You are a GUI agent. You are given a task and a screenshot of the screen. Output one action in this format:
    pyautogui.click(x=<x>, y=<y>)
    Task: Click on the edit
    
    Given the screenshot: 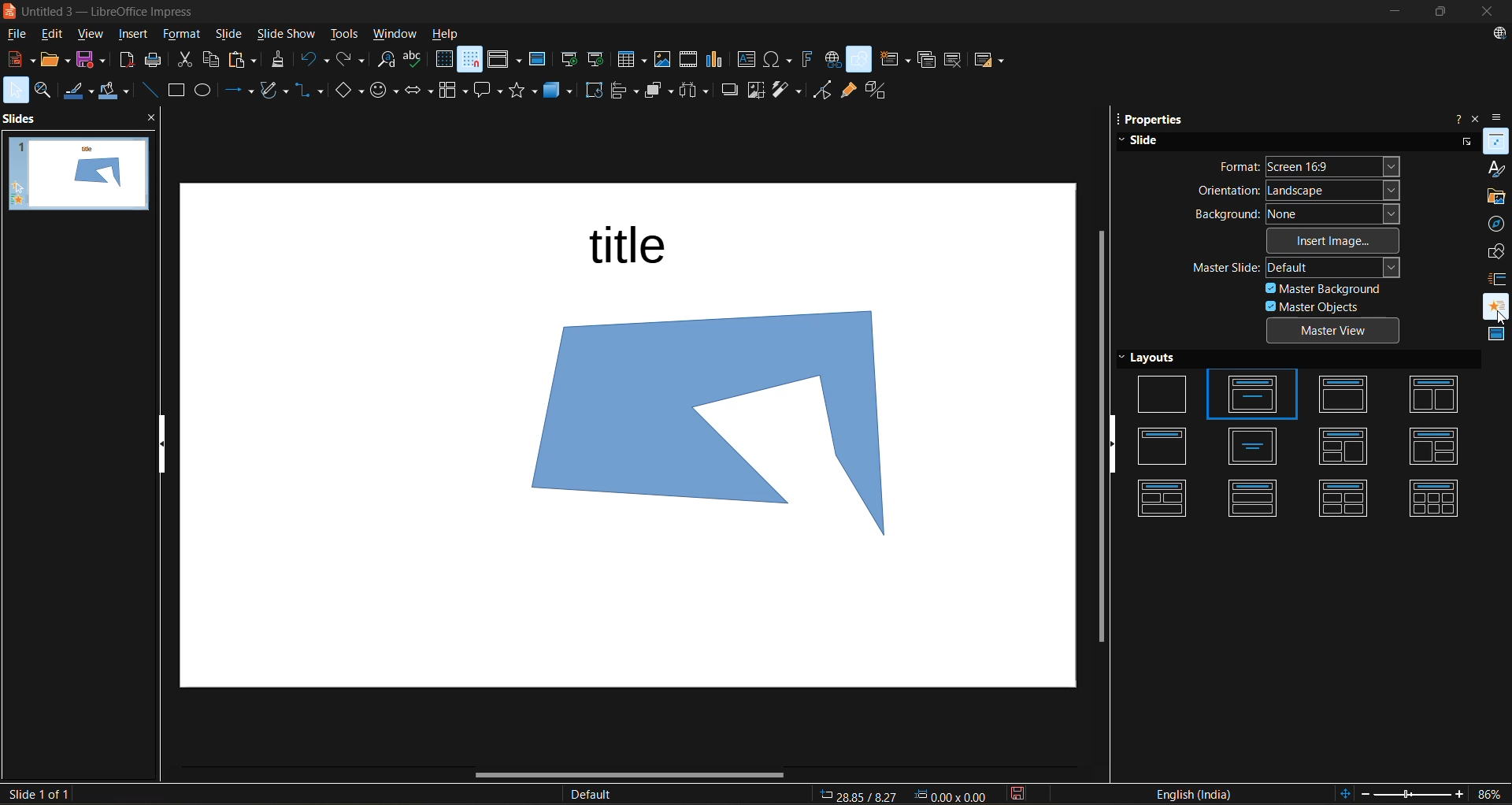 What is the action you would take?
    pyautogui.click(x=57, y=35)
    